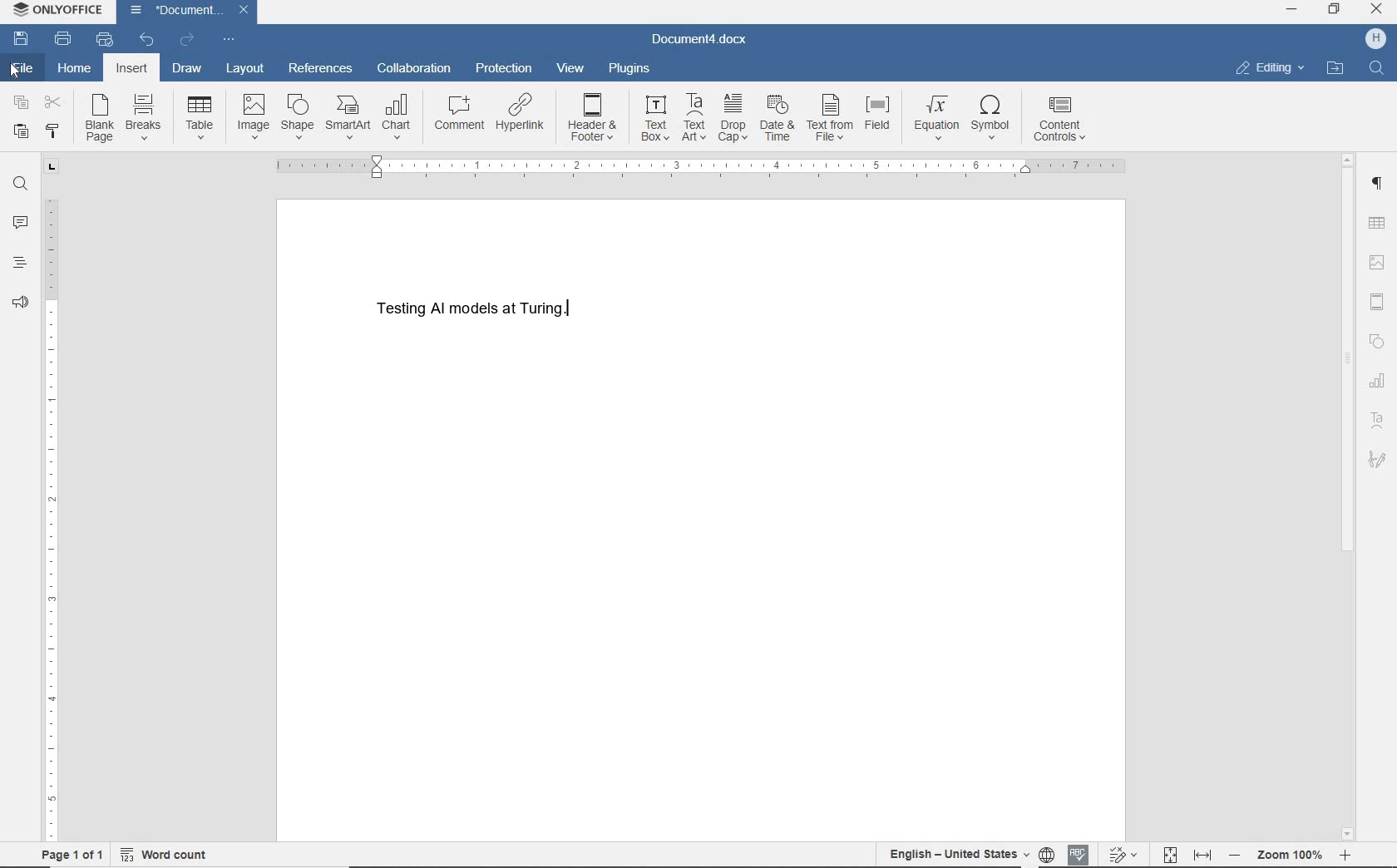 This screenshot has width=1397, height=868. What do you see at coordinates (1379, 184) in the screenshot?
I see `paragraph settings` at bounding box center [1379, 184].